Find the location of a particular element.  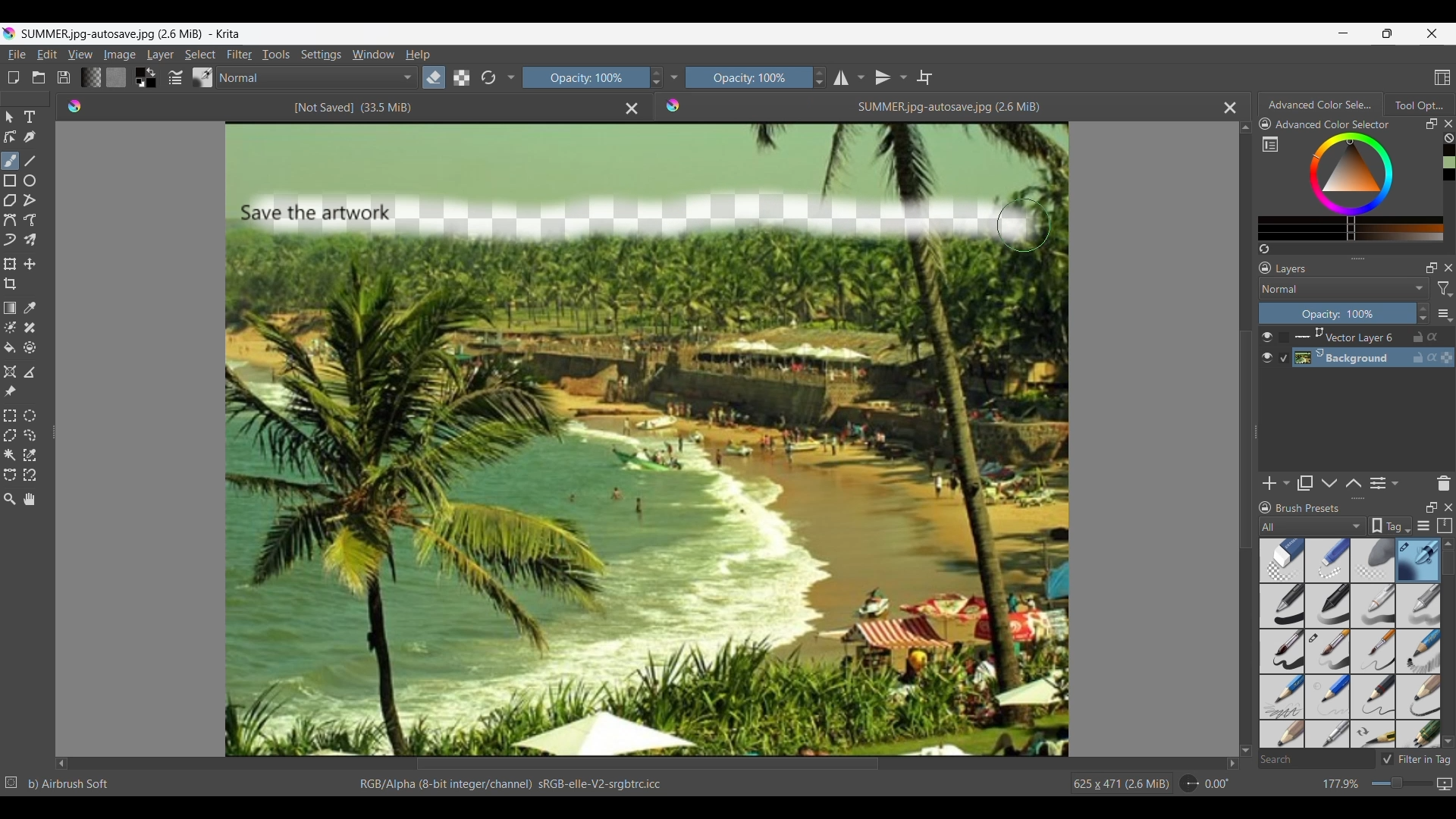

Elliptical selection tool is located at coordinates (30, 416).